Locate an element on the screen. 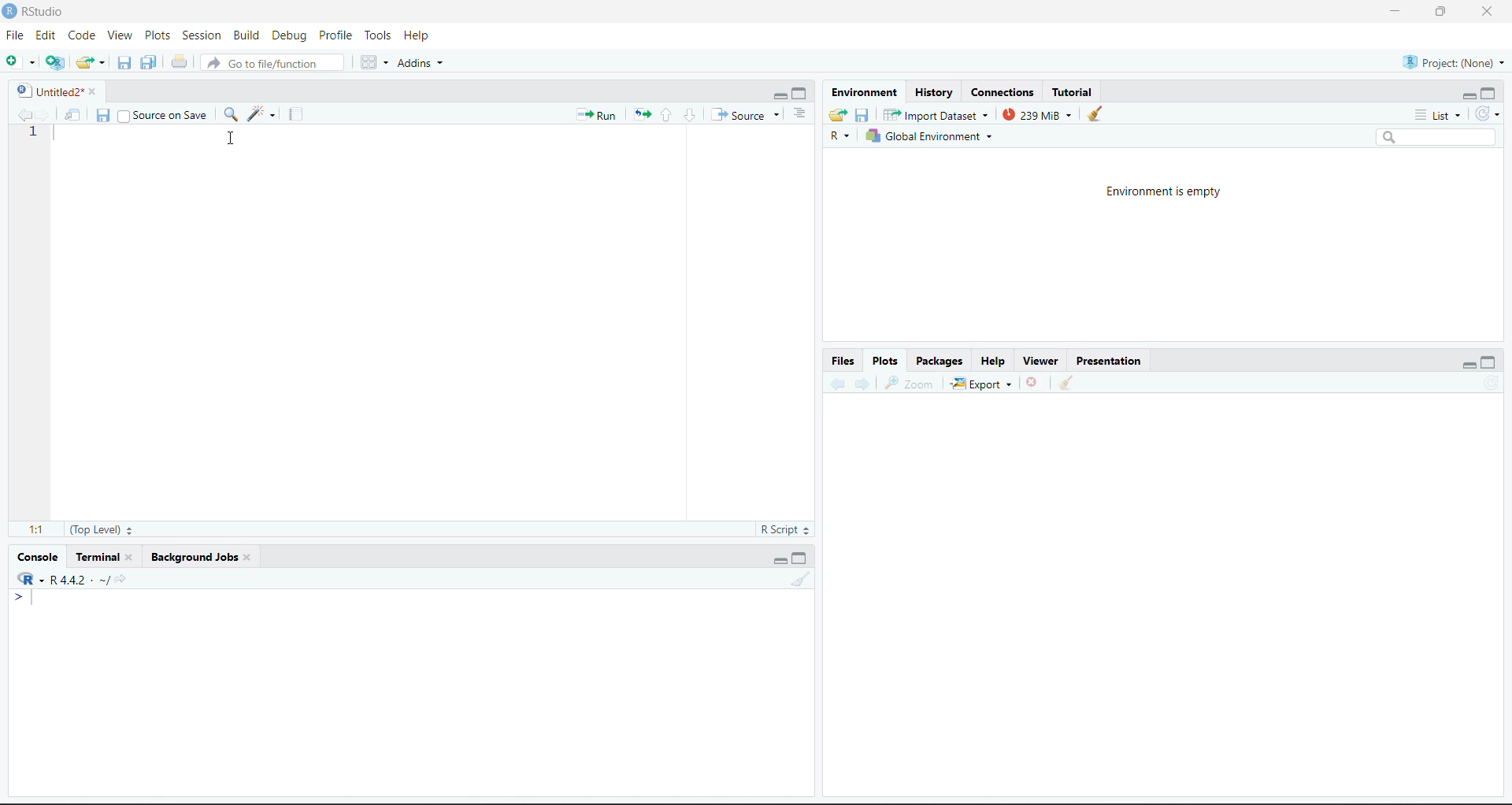  Maximize is located at coordinates (1491, 92).